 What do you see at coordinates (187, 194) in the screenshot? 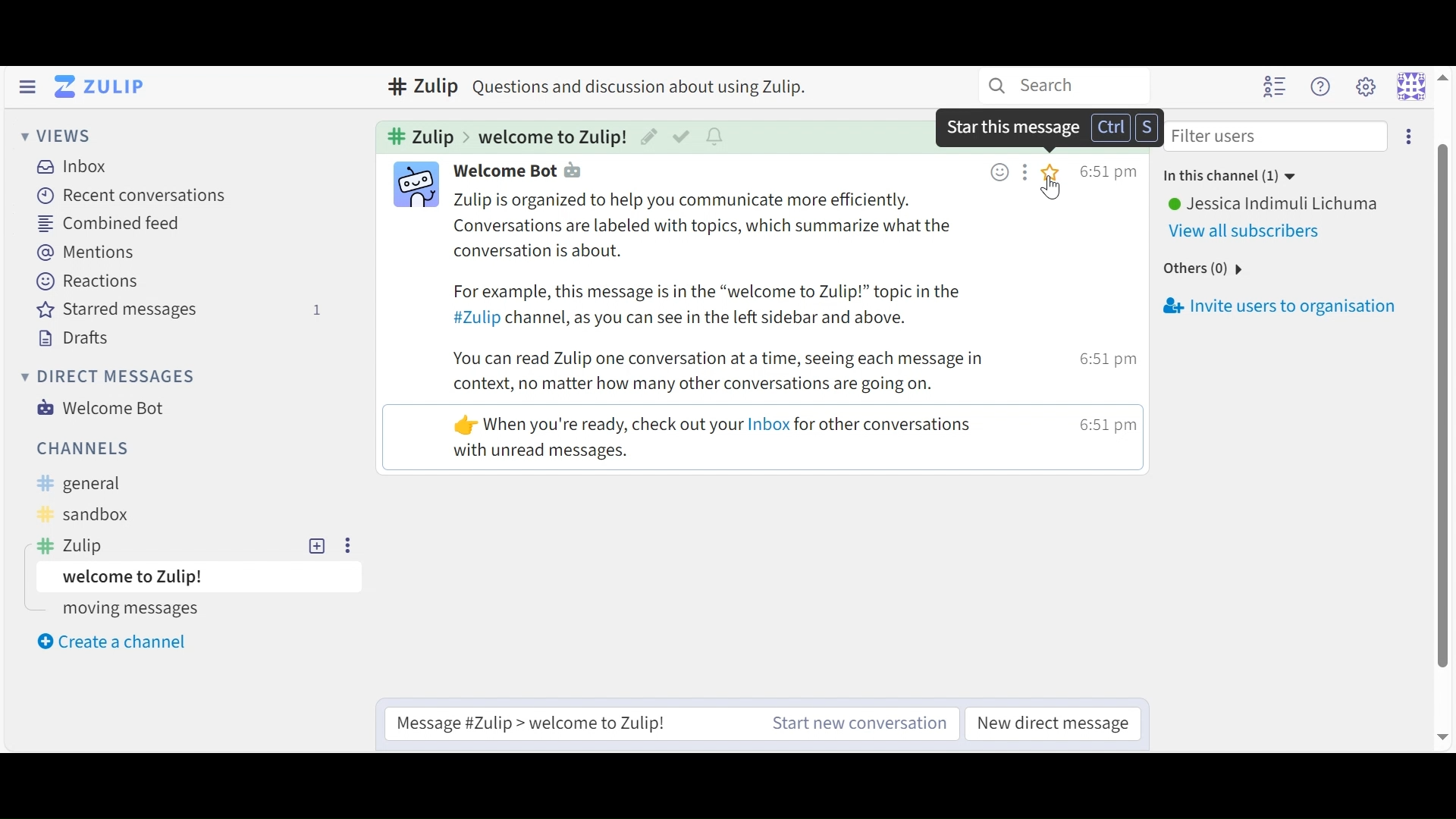
I see `Recent Conversation` at bounding box center [187, 194].